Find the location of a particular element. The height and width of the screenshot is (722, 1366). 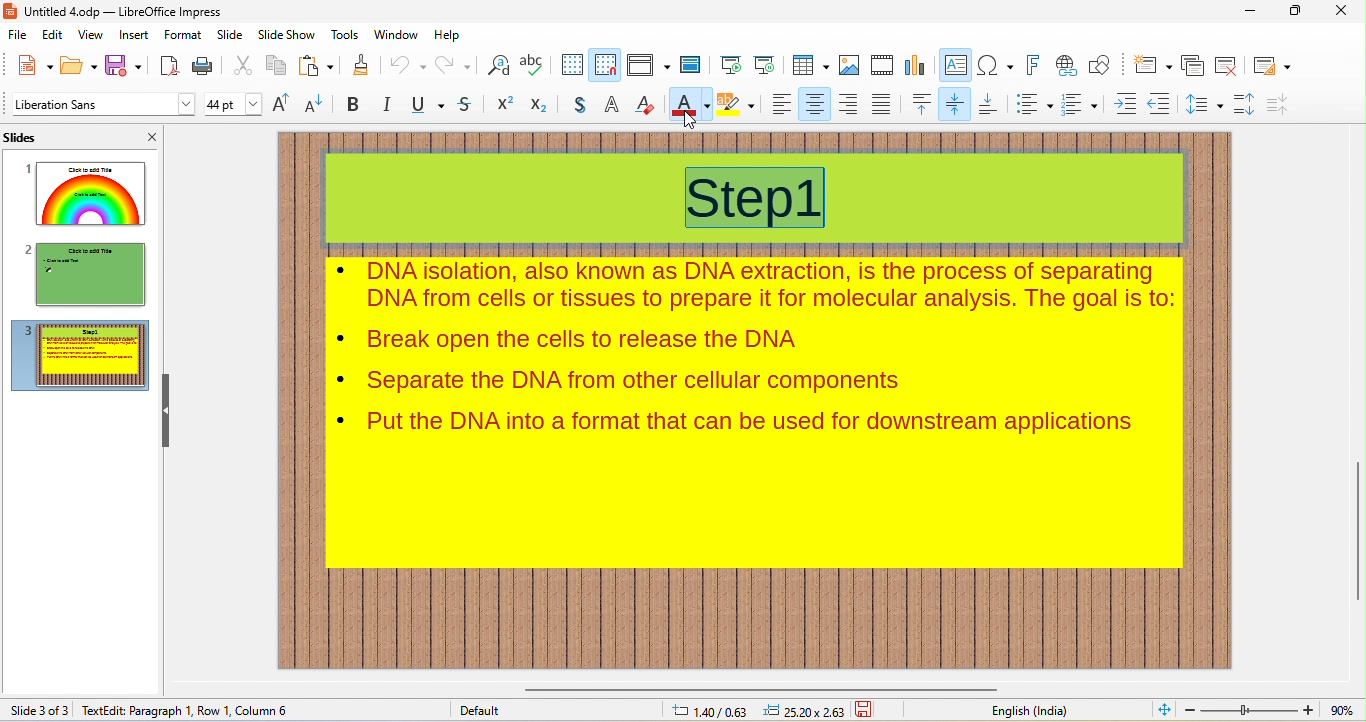

display views is located at coordinates (647, 66).